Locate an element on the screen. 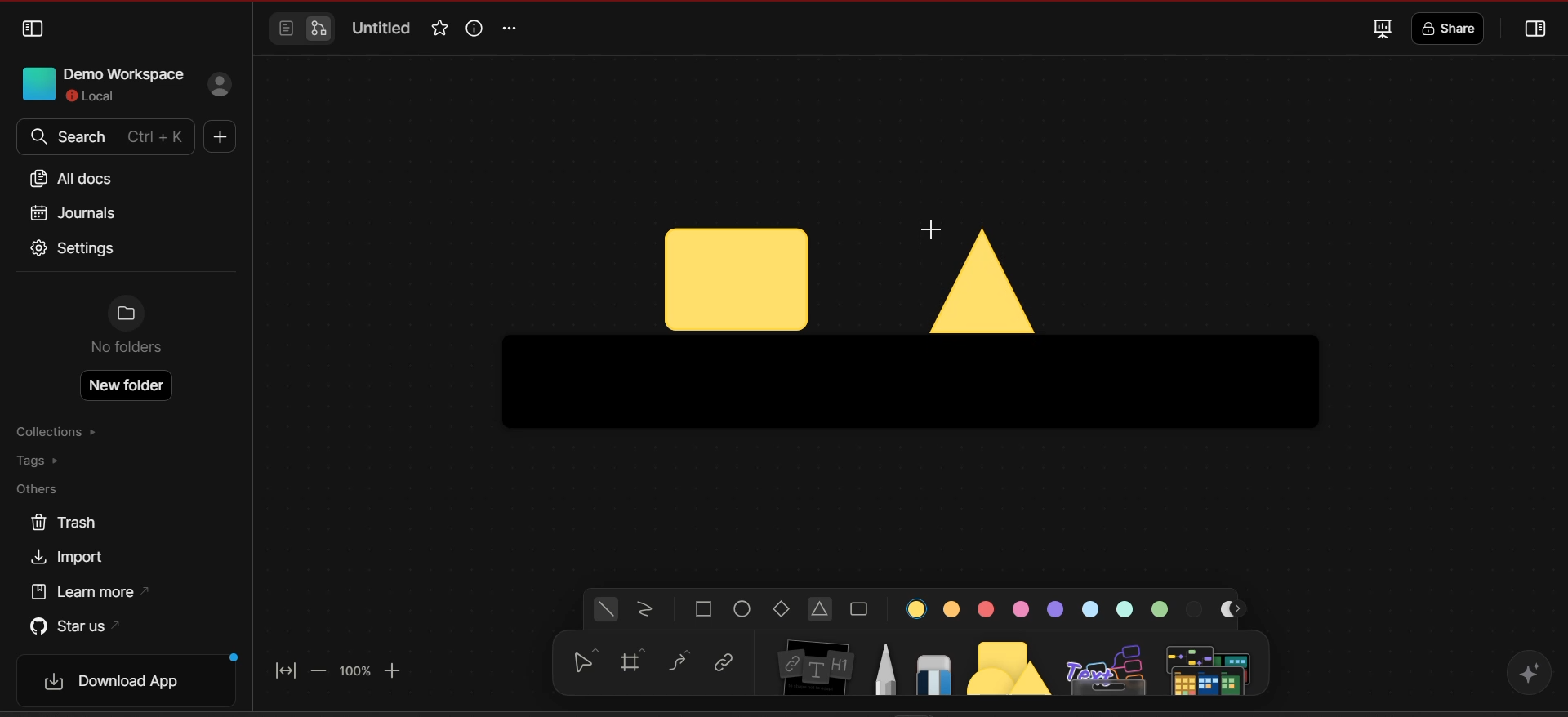 This screenshot has width=1568, height=717. zoom factor is located at coordinates (354, 671).